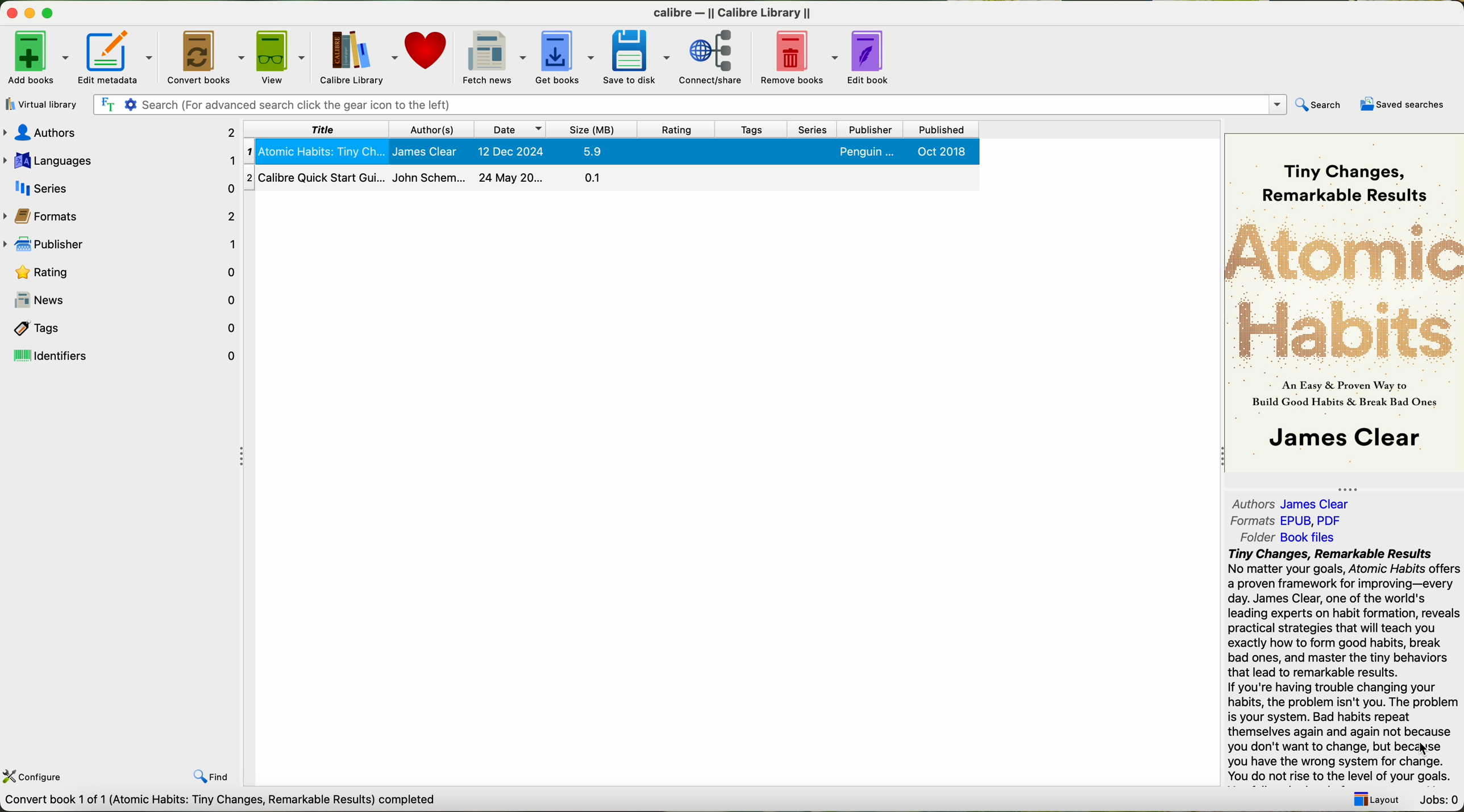  I want to click on configure, so click(34, 777).